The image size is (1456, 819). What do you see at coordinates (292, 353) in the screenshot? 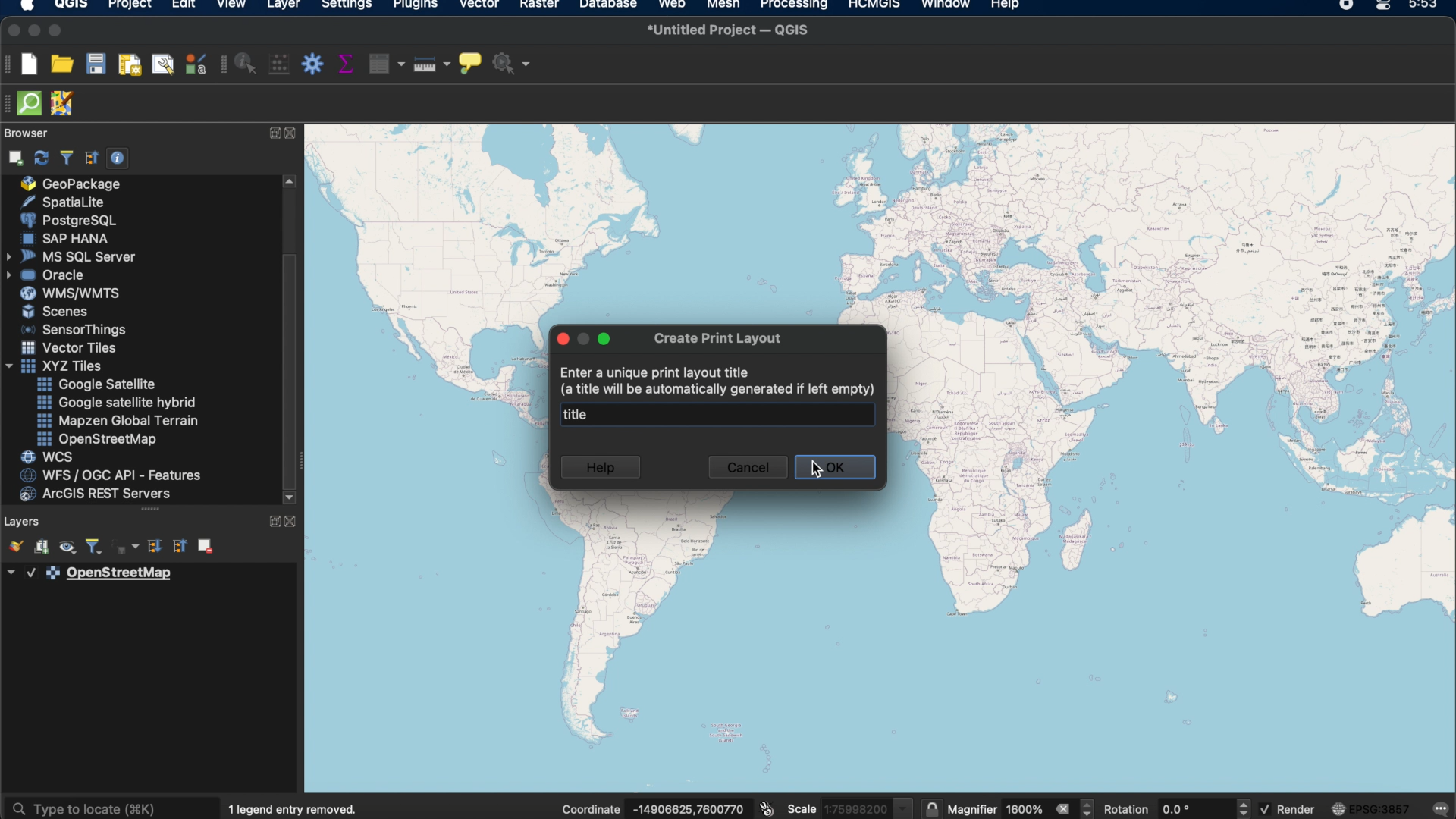
I see `scroll box` at bounding box center [292, 353].